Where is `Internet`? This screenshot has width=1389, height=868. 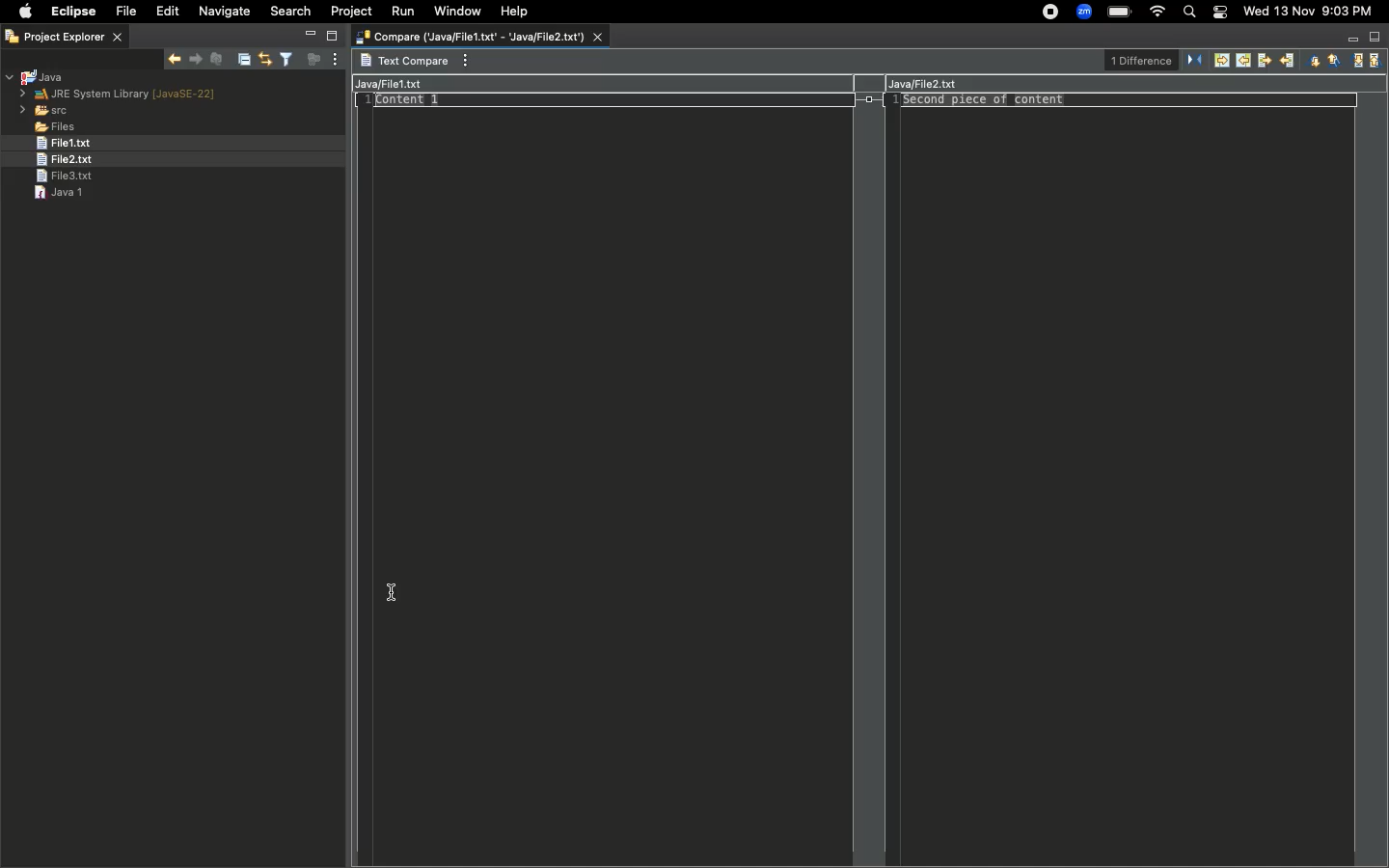 Internet is located at coordinates (1158, 12).